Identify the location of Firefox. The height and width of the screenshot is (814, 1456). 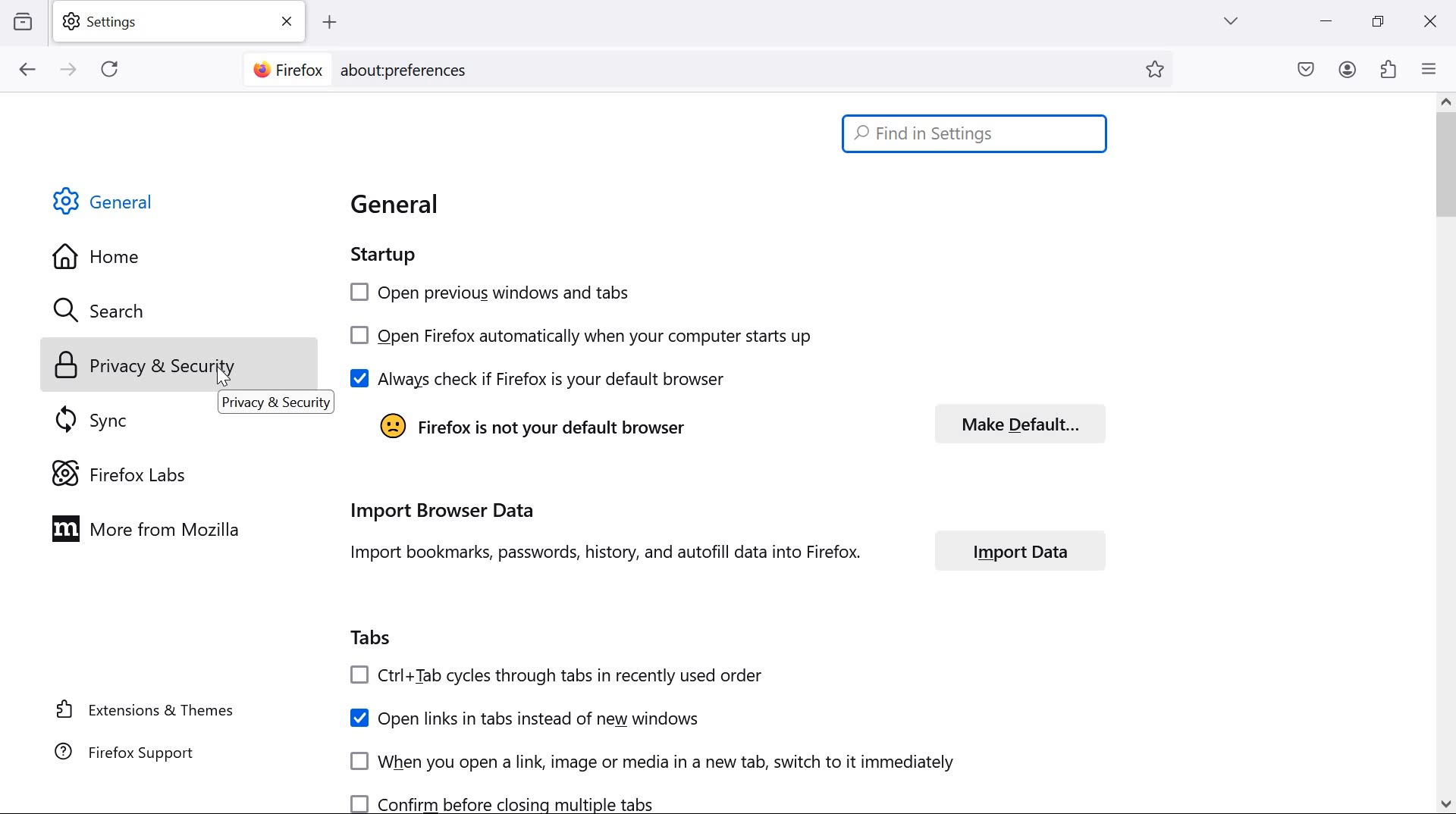
(287, 67).